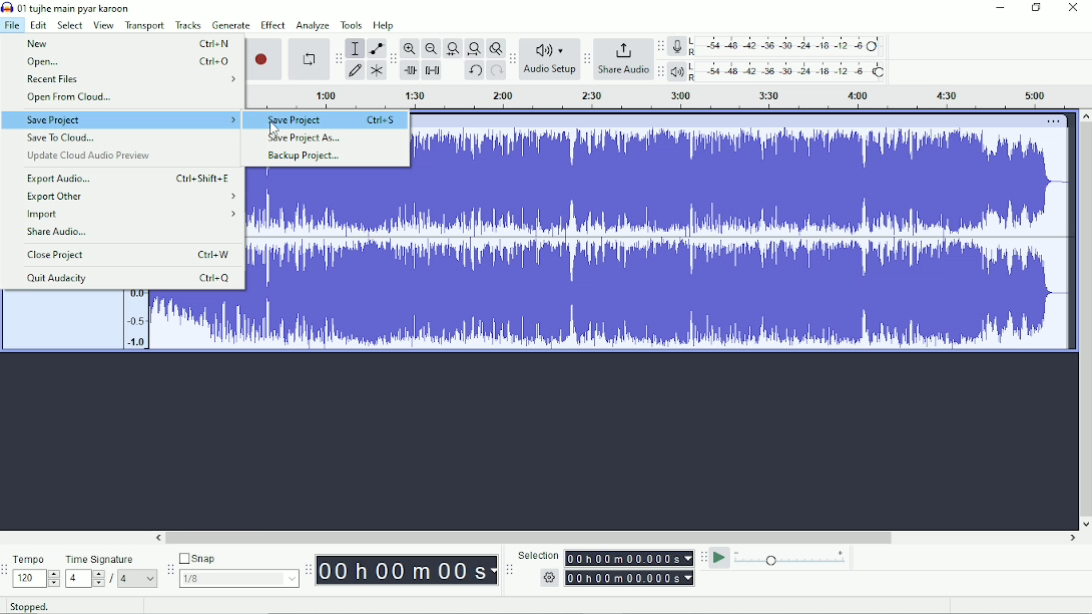 This screenshot has width=1092, height=614. What do you see at coordinates (615, 539) in the screenshot?
I see `Horizontal scrollbar` at bounding box center [615, 539].